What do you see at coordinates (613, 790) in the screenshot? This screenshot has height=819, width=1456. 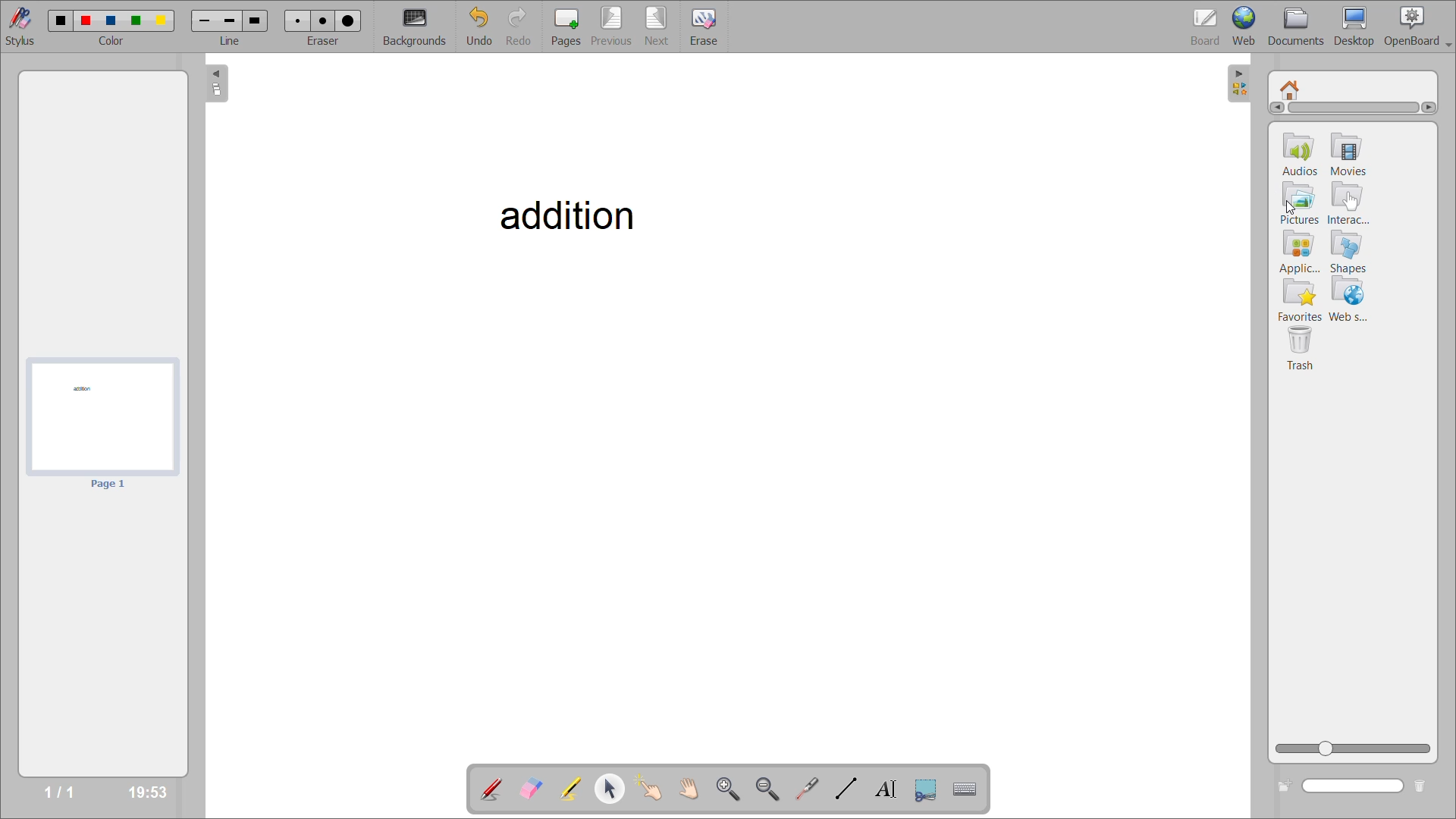 I see `select and modify  objects` at bounding box center [613, 790].